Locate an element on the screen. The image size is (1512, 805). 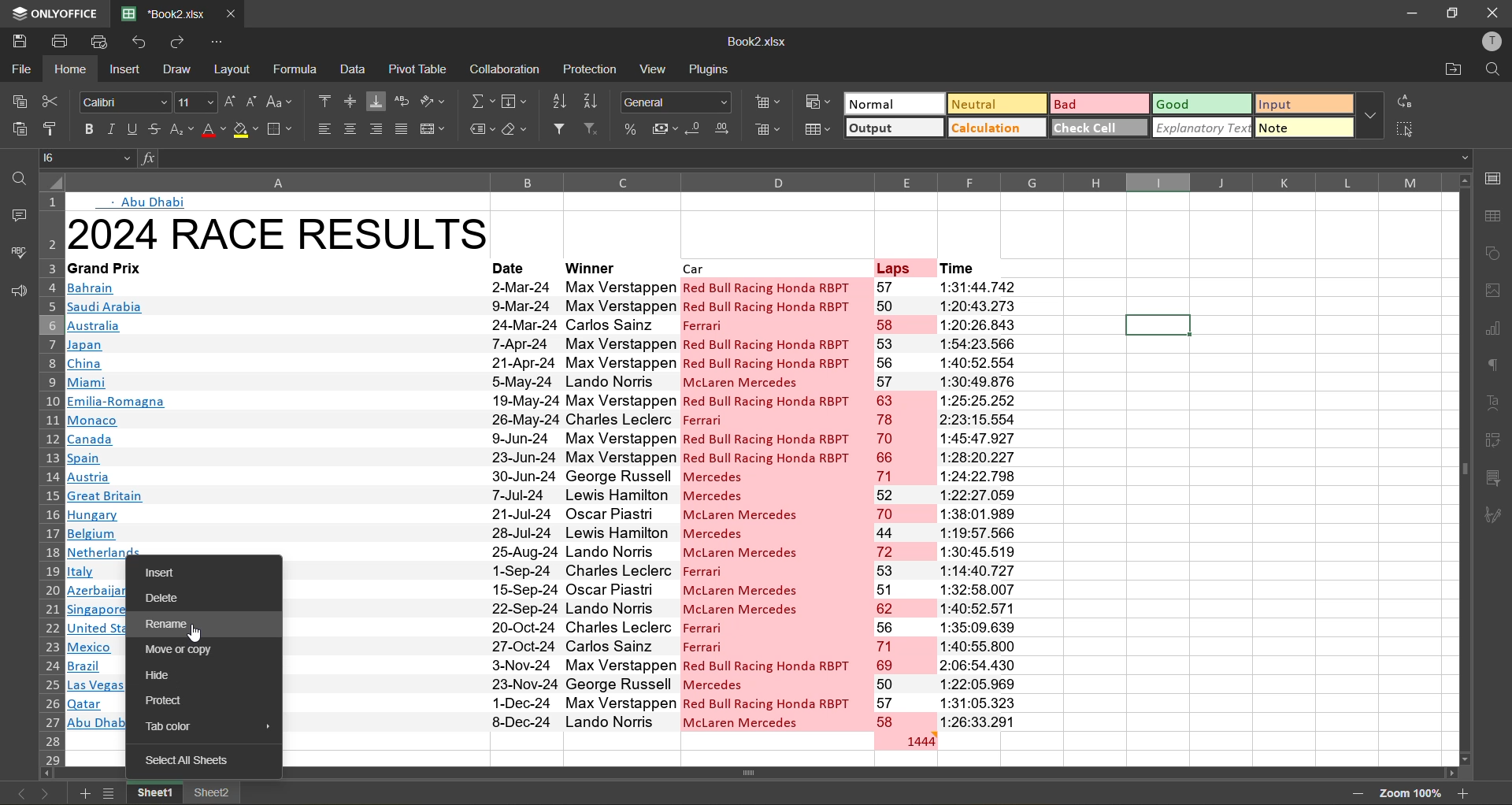
time is located at coordinates (975, 503).